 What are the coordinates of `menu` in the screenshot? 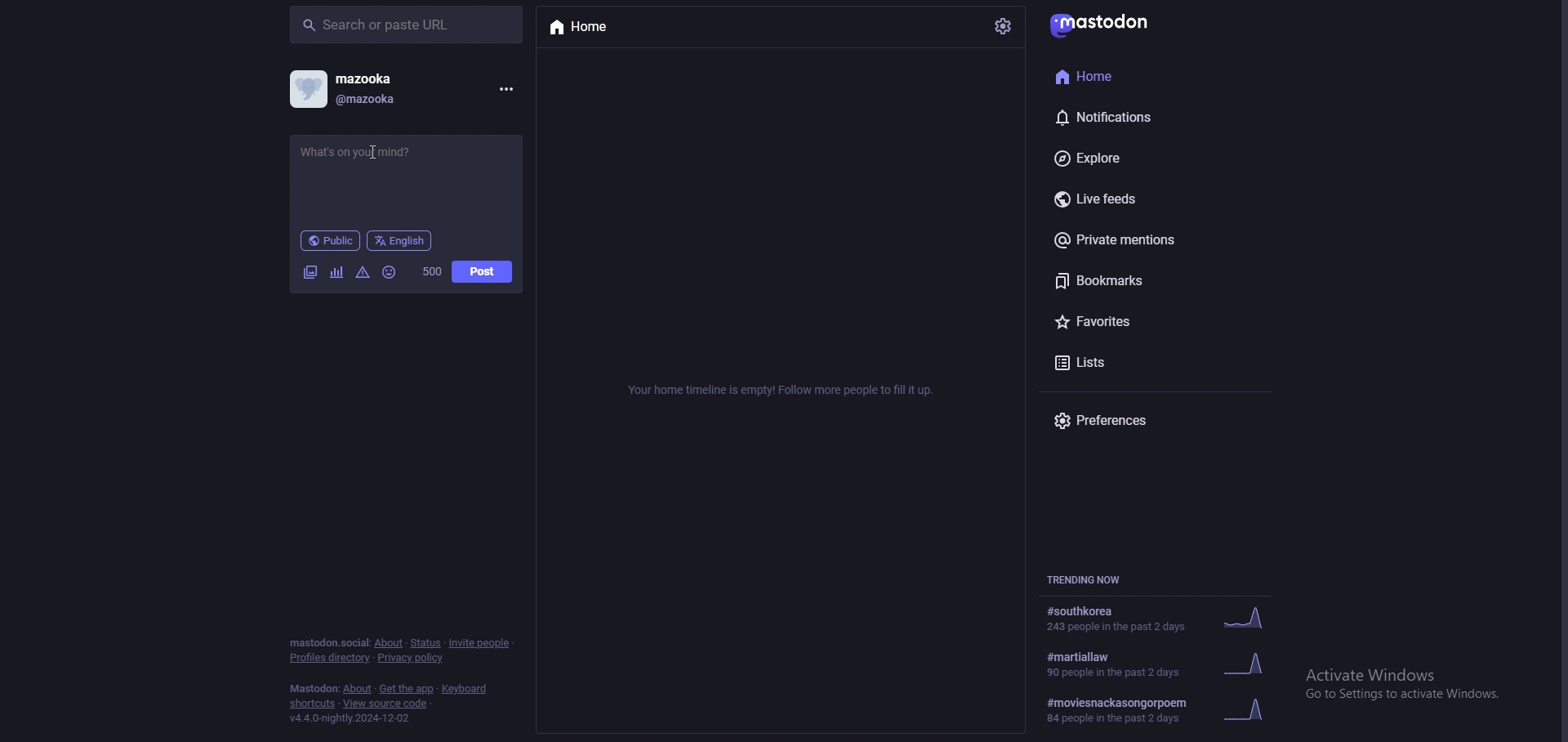 It's located at (506, 90).